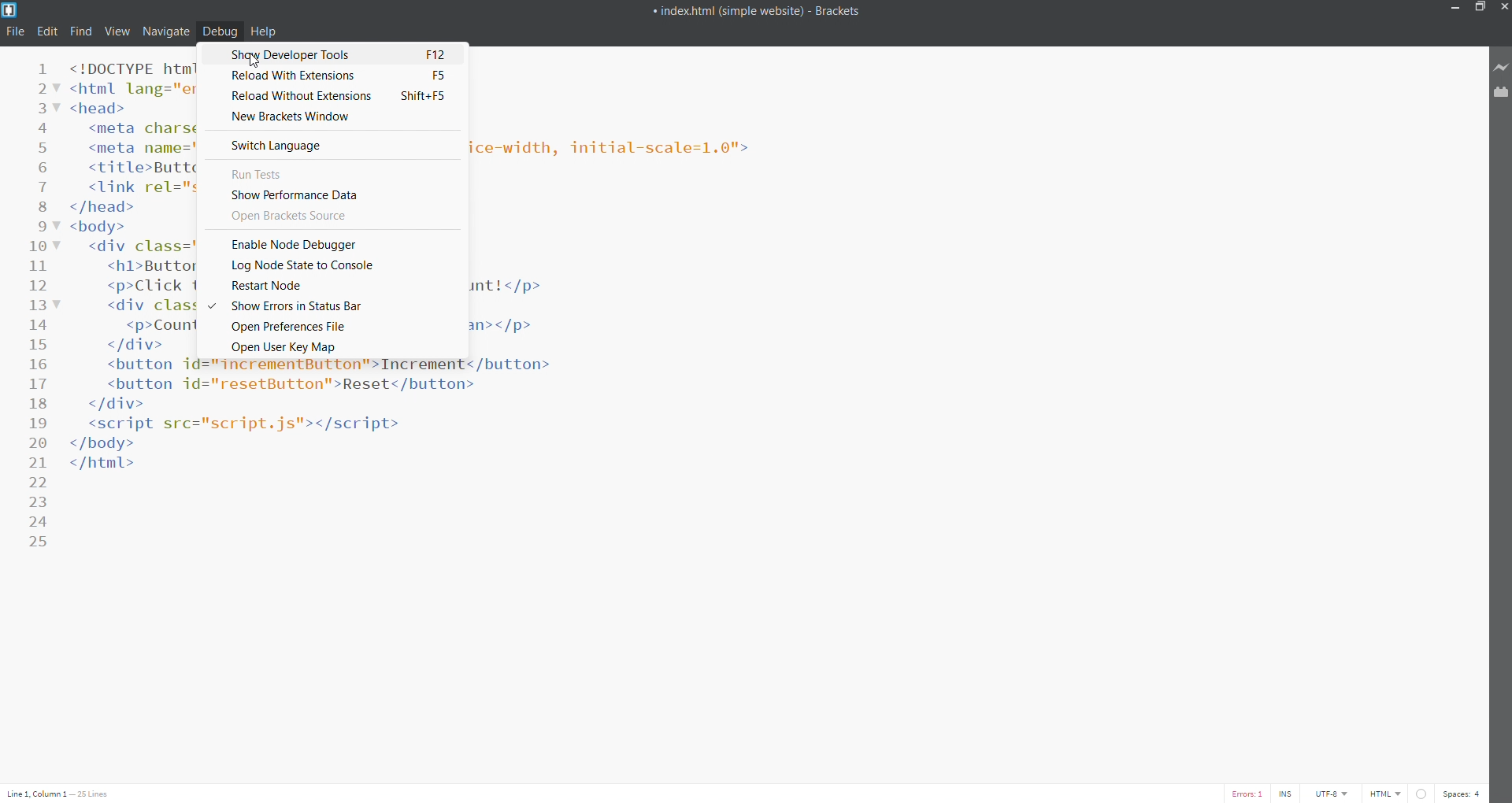 The width and height of the screenshot is (1512, 803). Describe the element at coordinates (65, 794) in the screenshot. I see `text cursor position` at that location.